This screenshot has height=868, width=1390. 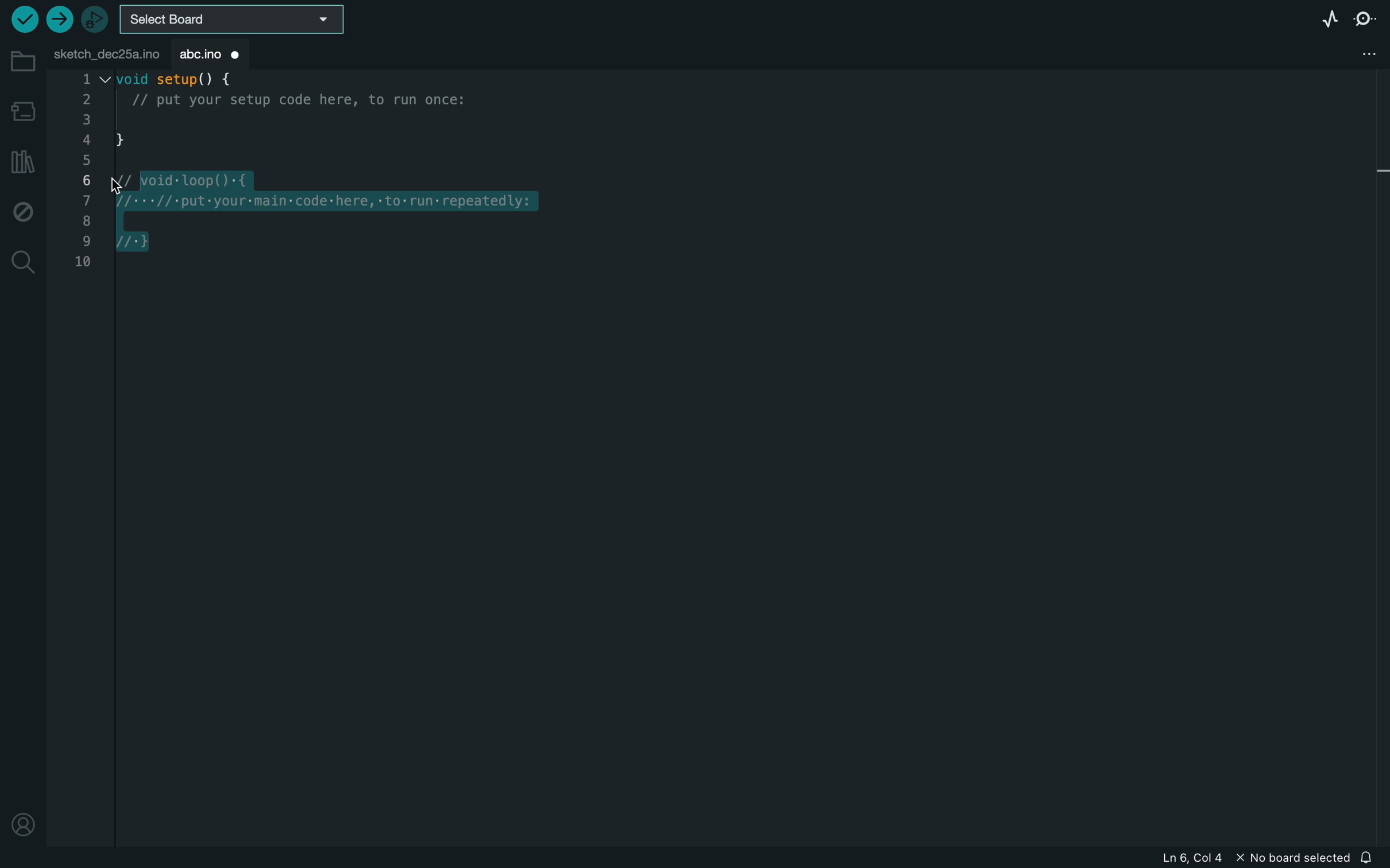 I want to click on file  information, so click(x=1244, y=858).